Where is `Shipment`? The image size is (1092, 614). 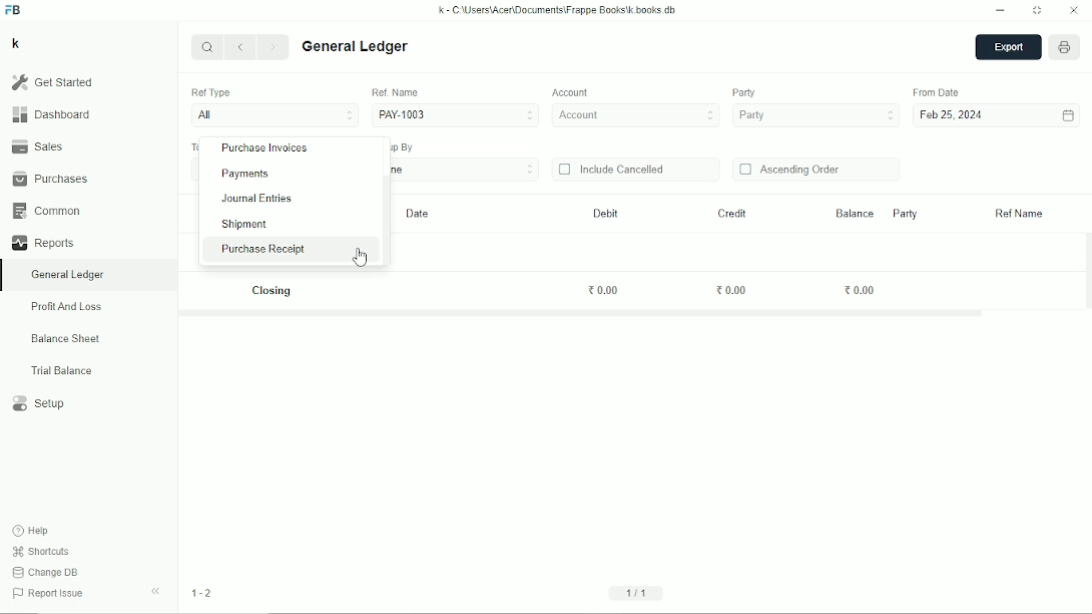 Shipment is located at coordinates (244, 225).